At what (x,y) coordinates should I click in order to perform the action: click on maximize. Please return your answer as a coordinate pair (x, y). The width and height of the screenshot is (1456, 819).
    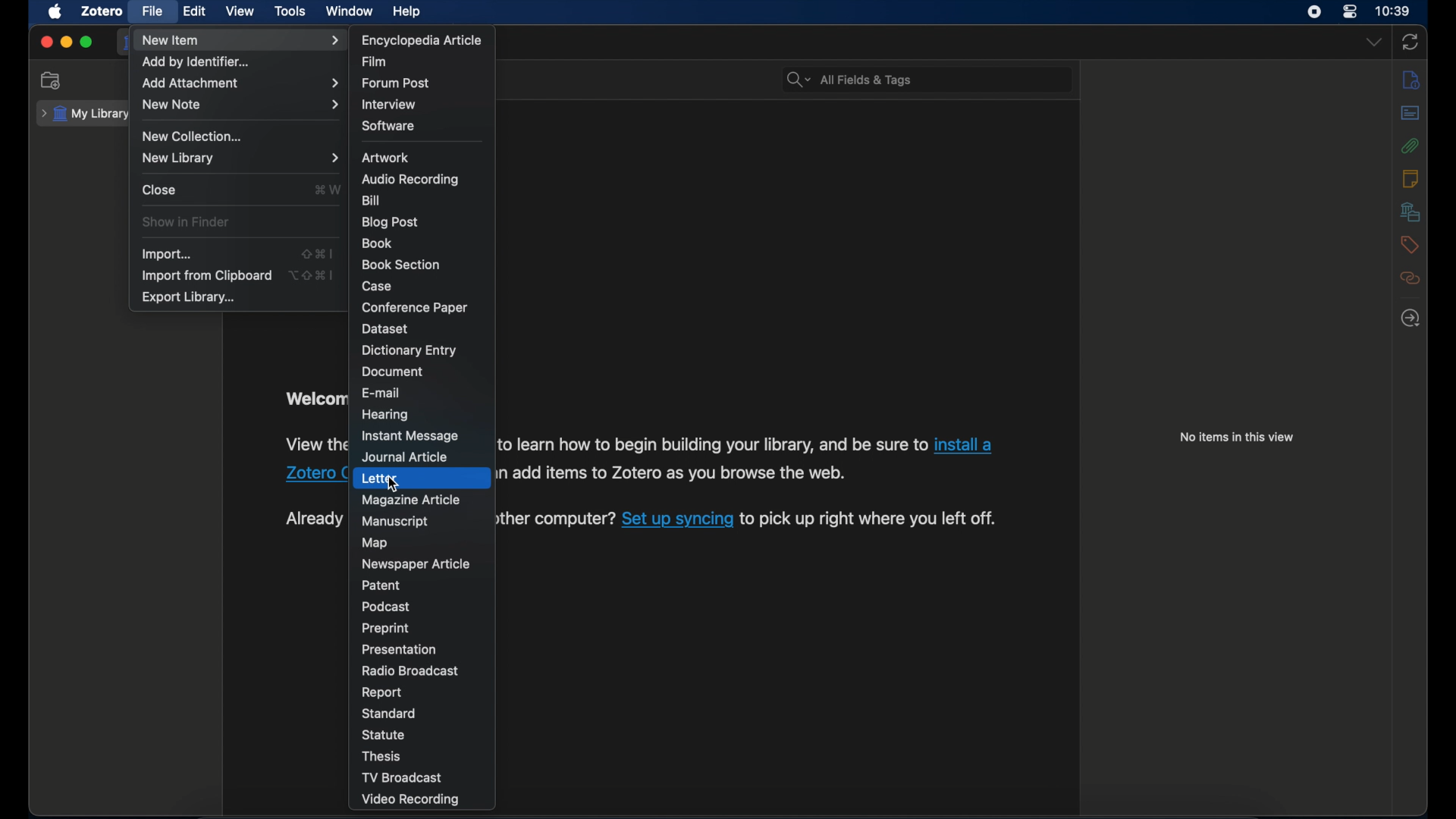
    Looking at the image, I should click on (87, 42).